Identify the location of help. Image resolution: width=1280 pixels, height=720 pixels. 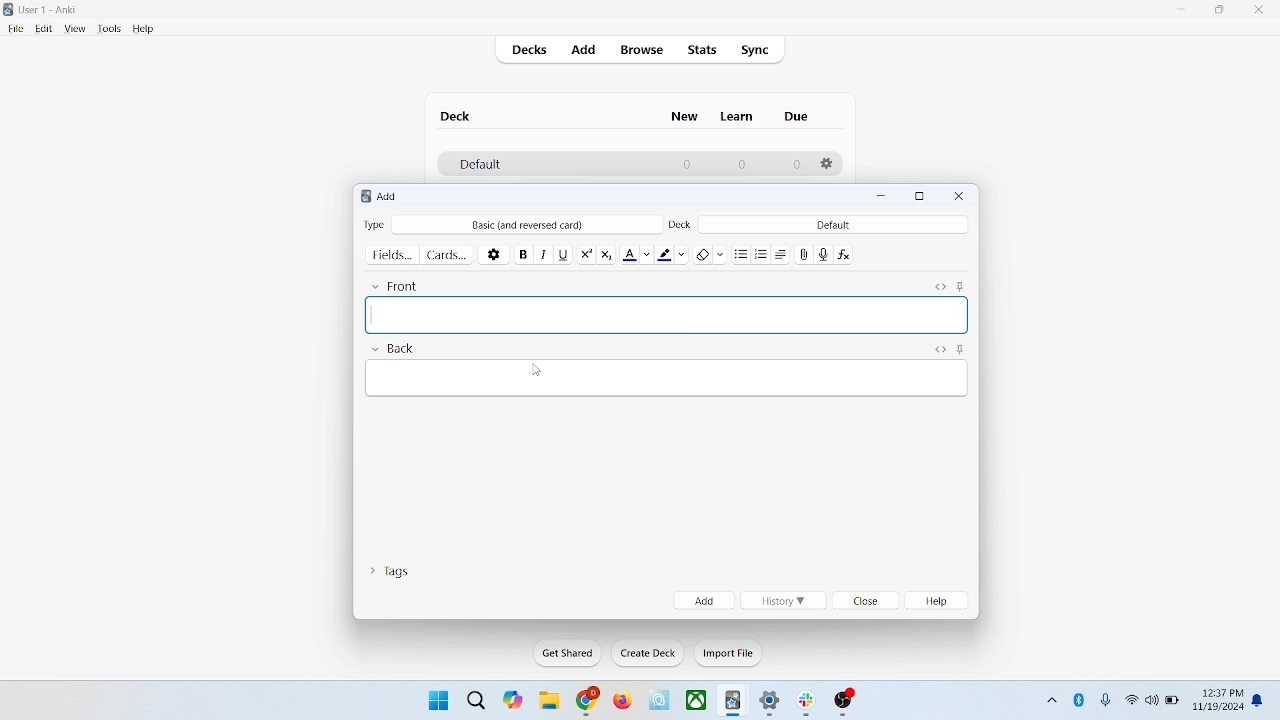
(144, 30).